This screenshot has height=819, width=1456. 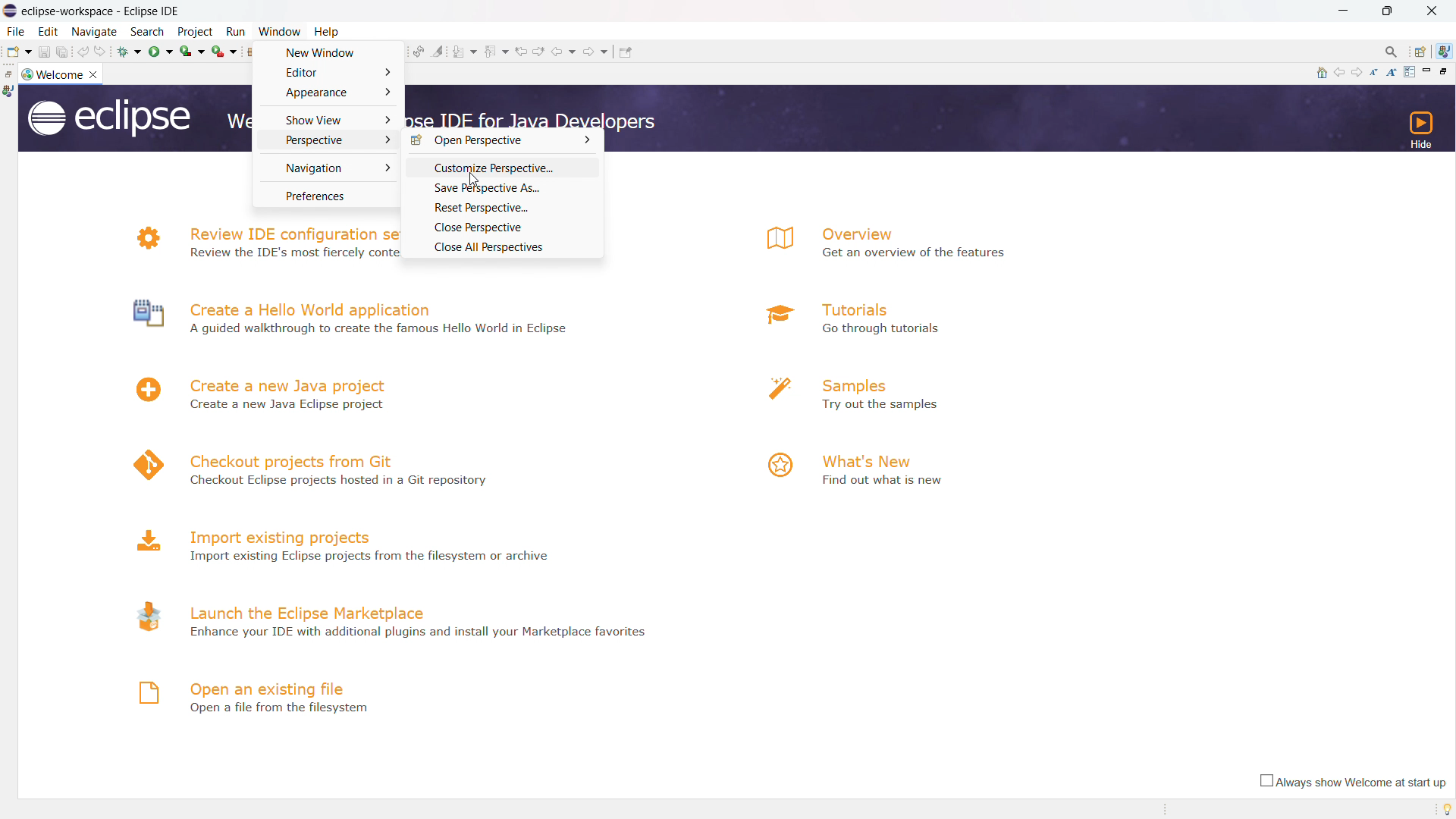 What do you see at coordinates (128, 52) in the screenshot?
I see `debug` at bounding box center [128, 52].